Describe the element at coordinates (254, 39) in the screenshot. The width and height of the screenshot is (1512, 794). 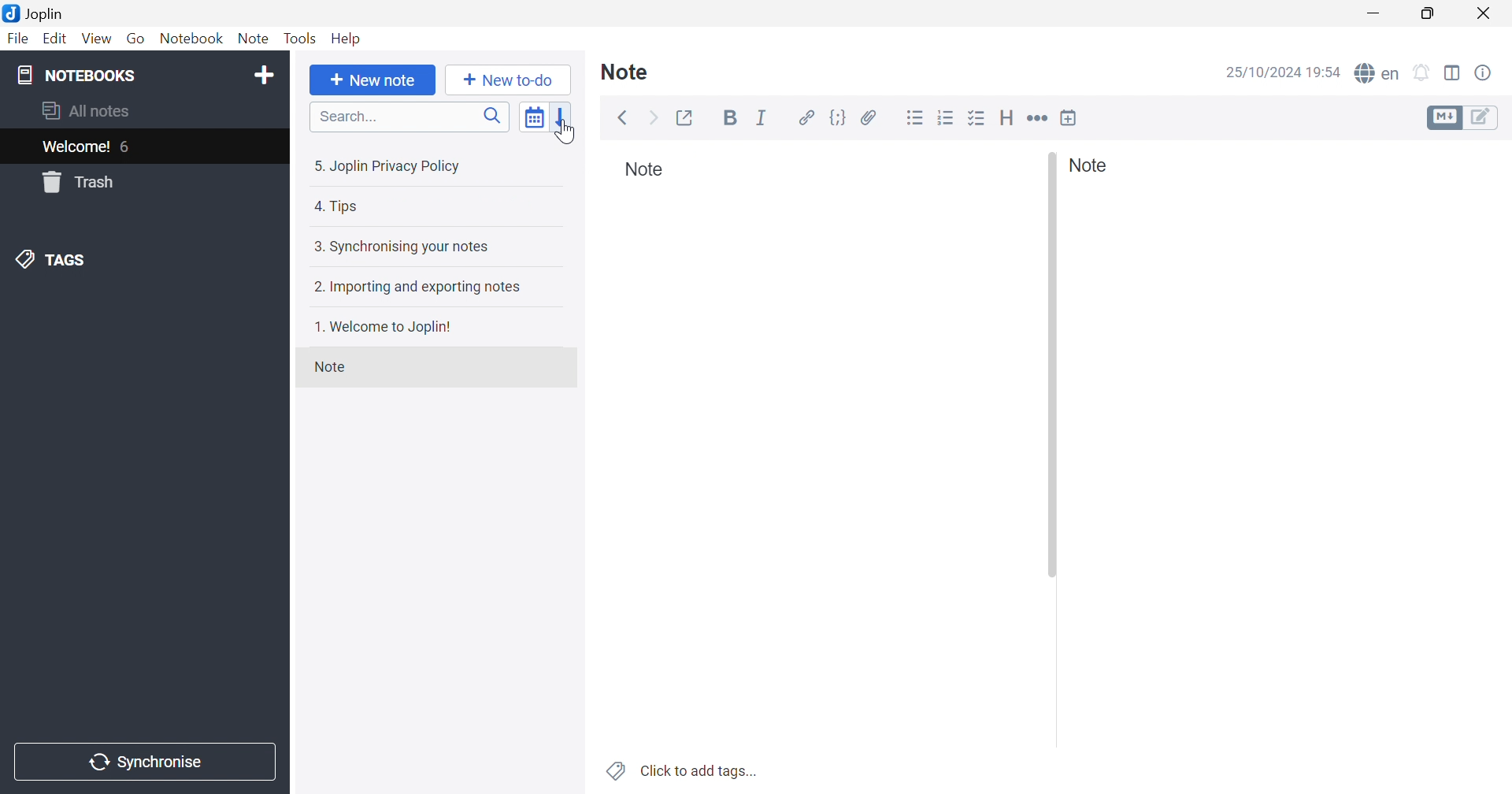
I see `Note` at that location.